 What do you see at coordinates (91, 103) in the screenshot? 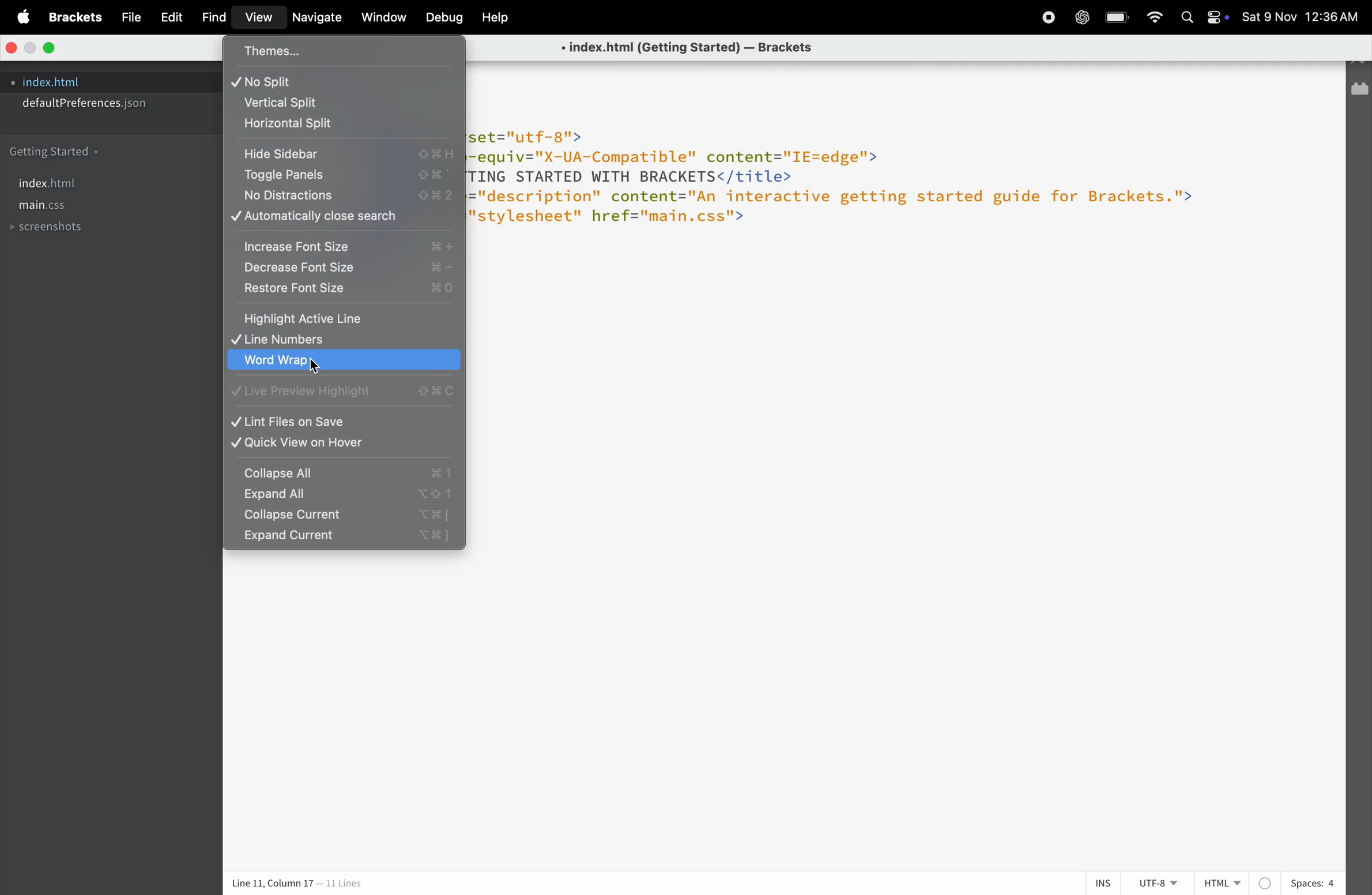
I see `default preferences` at bounding box center [91, 103].